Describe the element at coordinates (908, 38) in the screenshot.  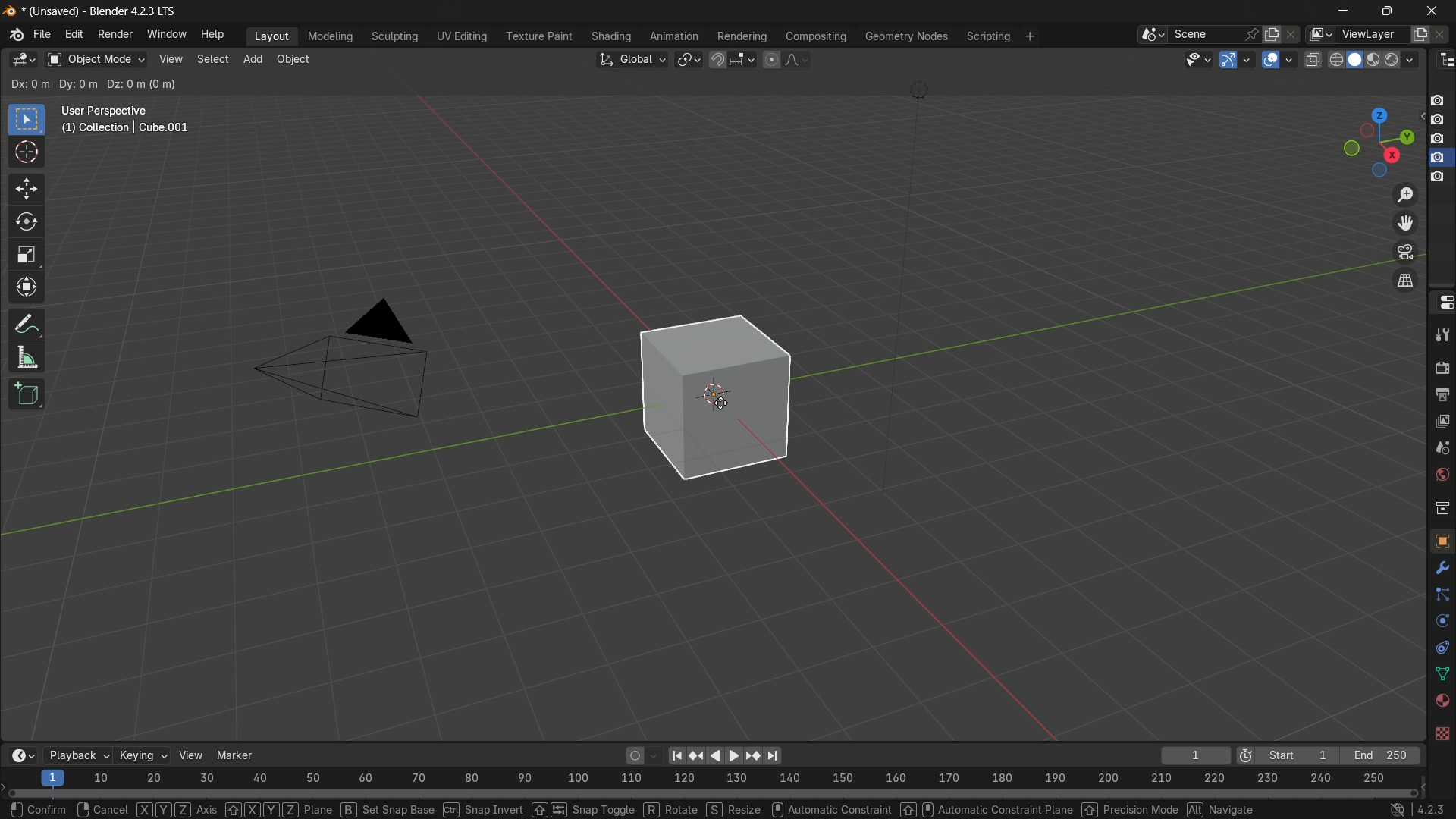
I see `geometry nodes menu` at that location.